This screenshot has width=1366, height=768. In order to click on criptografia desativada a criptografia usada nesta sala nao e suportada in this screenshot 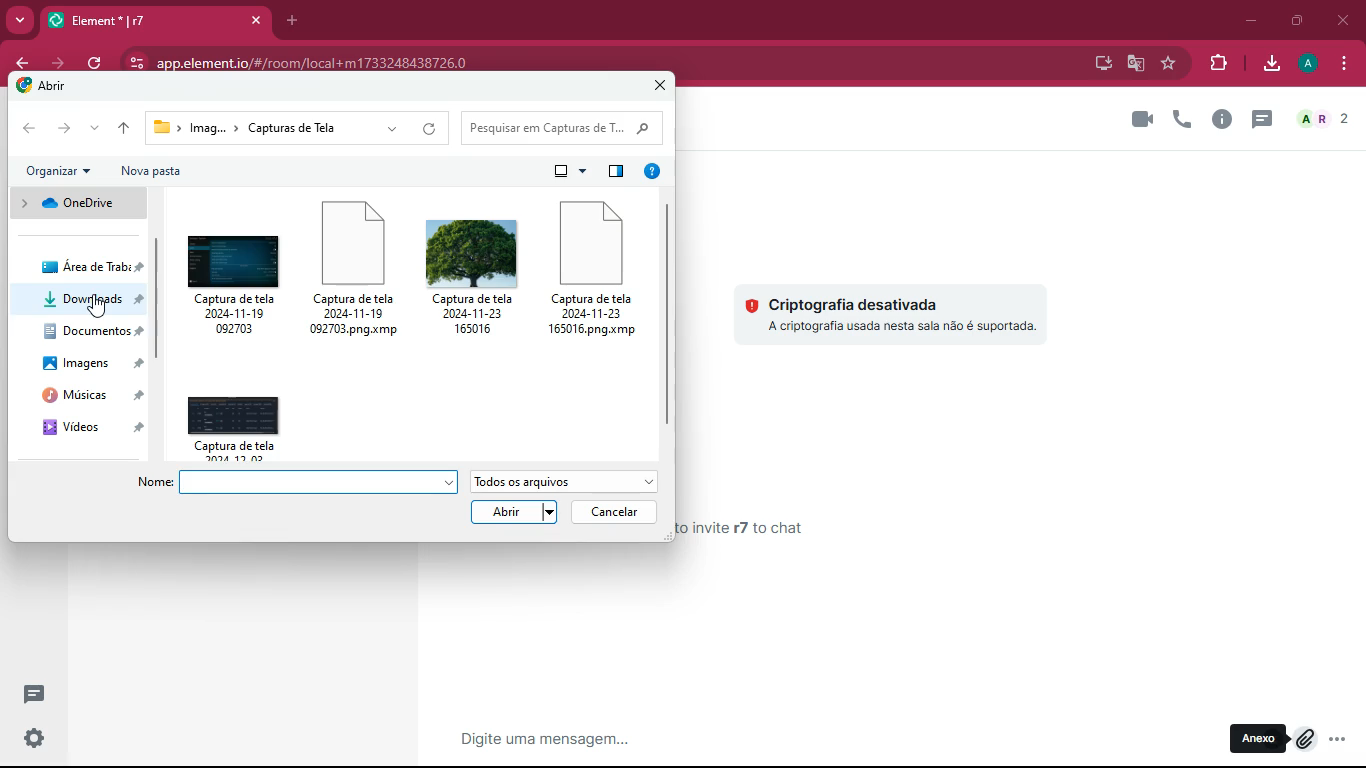, I will do `click(895, 310)`.